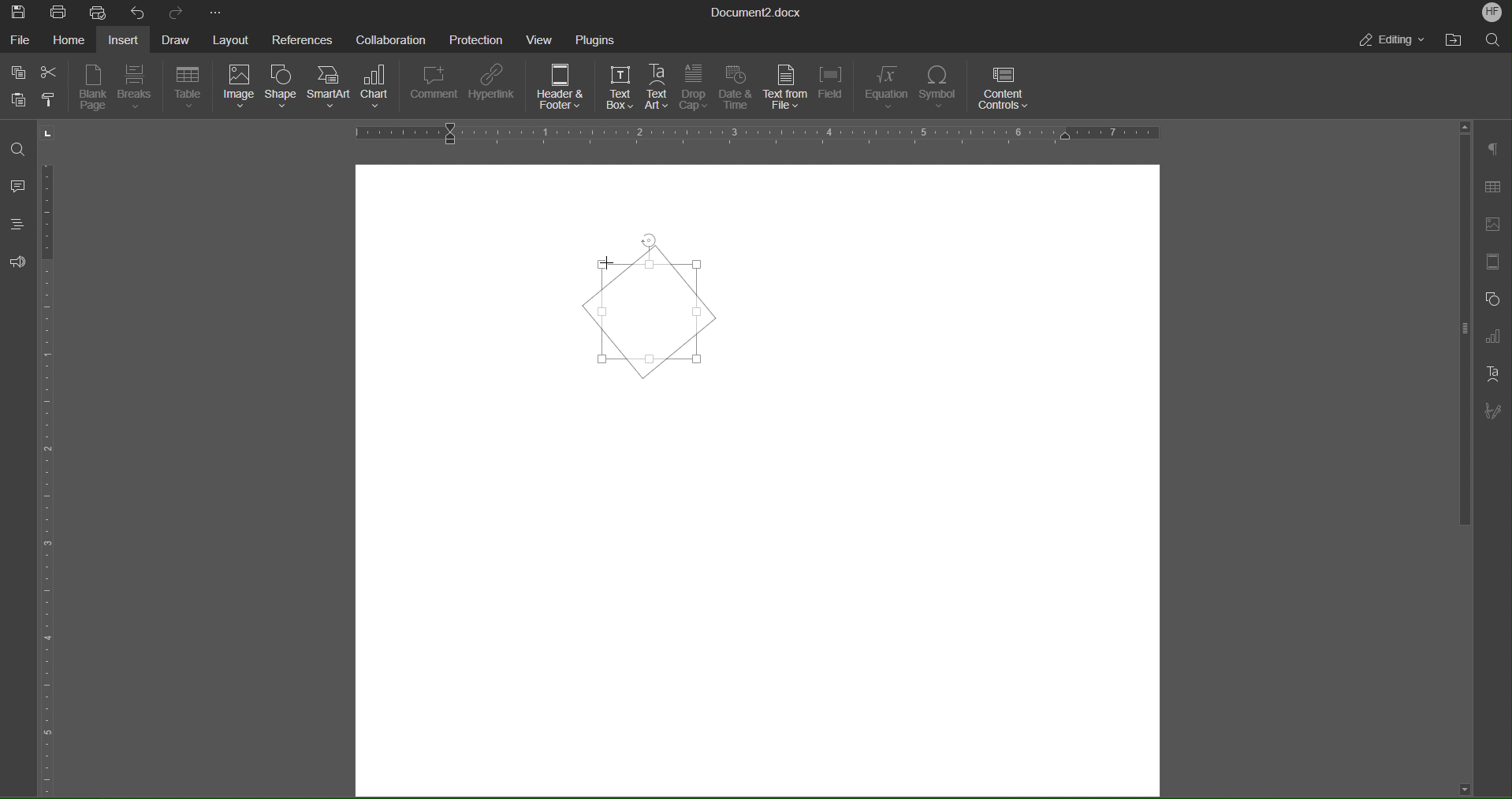  What do you see at coordinates (99, 11) in the screenshot?
I see `Quick Print` at bounding box center [99, 11].